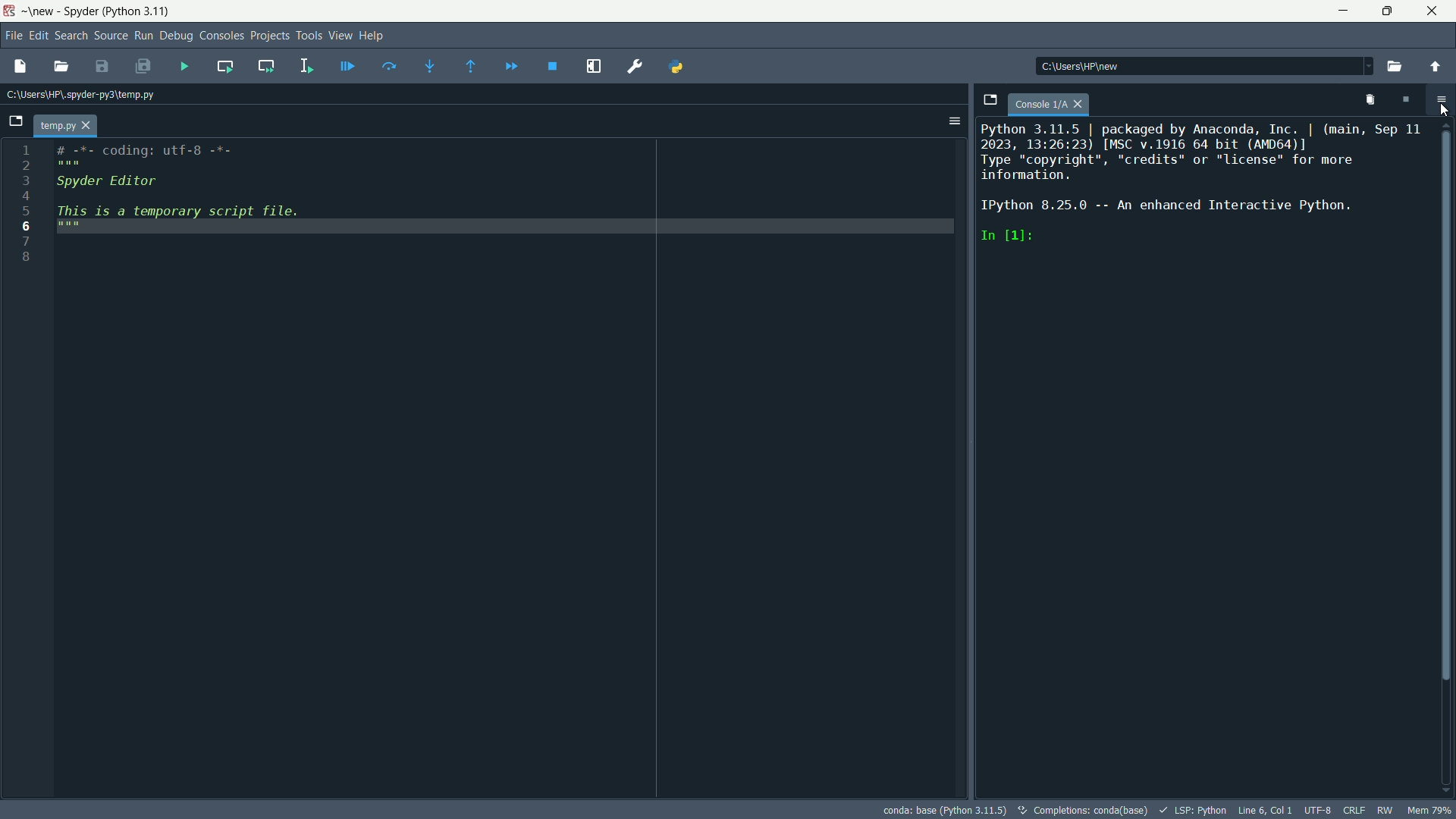 Image resolution: width=1456 pixels, height=819 pixels. Describe the element at coordinates (117, 11) in the screenshot. I see `Spyder (Python 3.11)` at that location.